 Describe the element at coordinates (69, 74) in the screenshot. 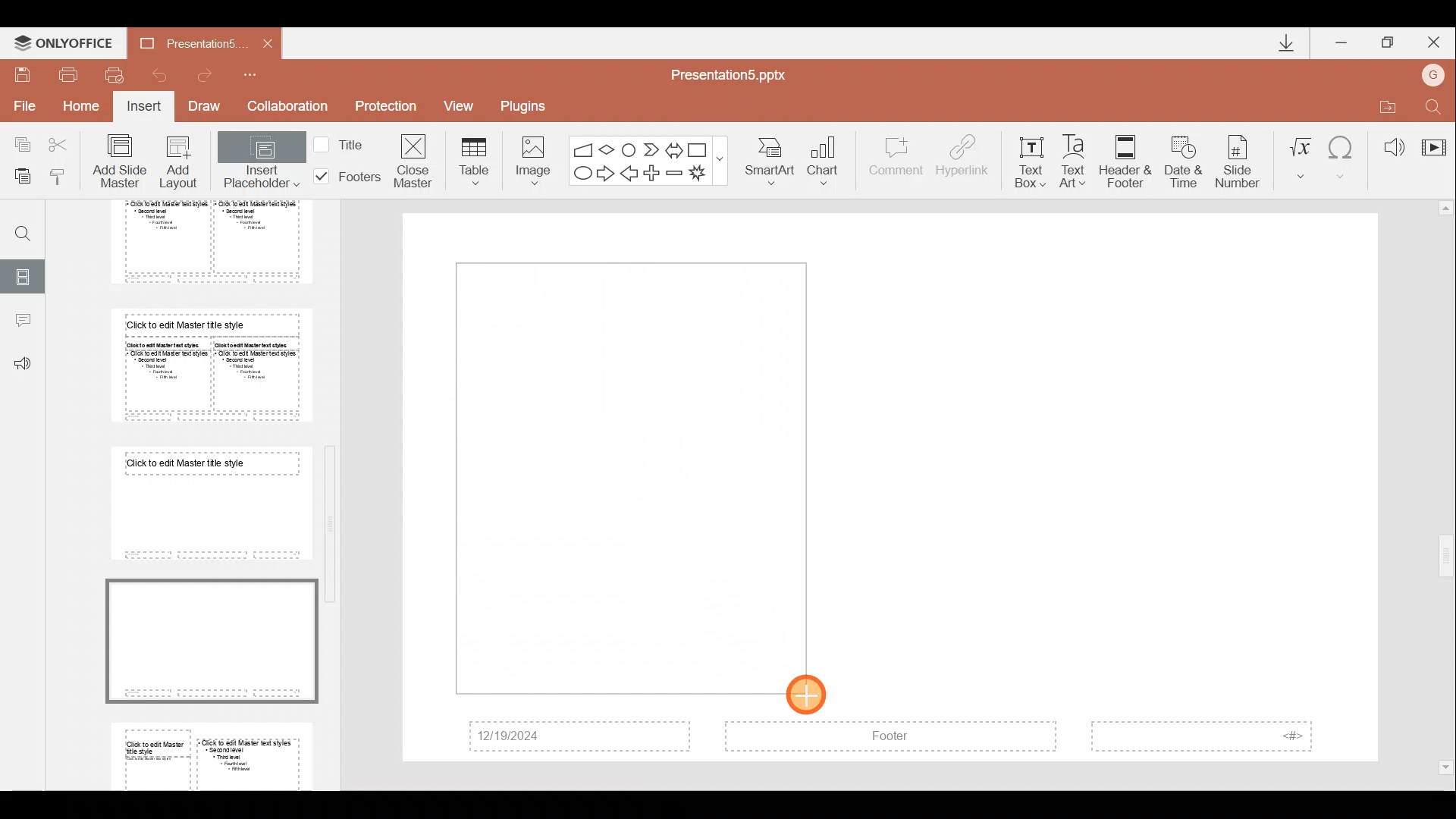

I see `Print file` at that location.